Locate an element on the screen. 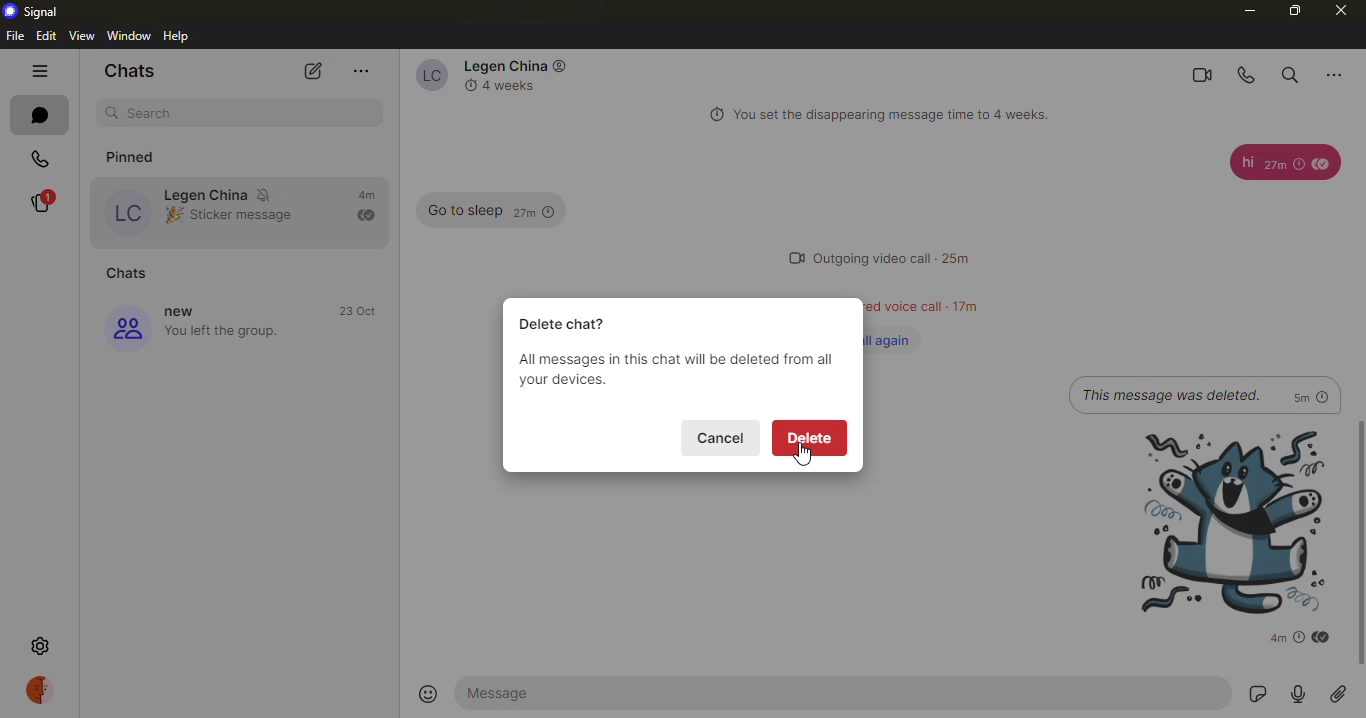 The height and width of the screenshot is (718, 1366). New is located at coordinates (186, 312).